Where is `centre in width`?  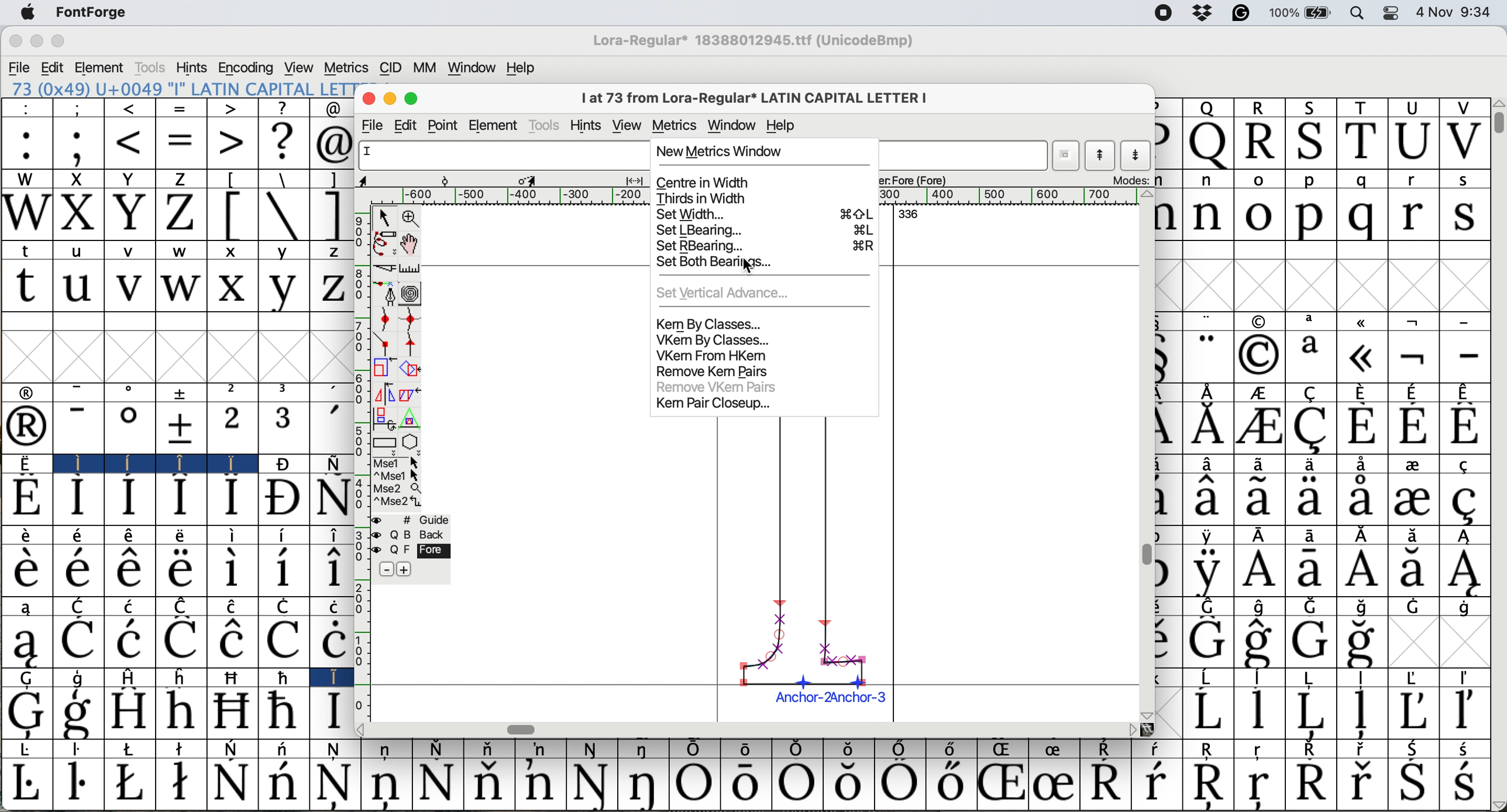 centre in width is located at coordinates (708, 182).